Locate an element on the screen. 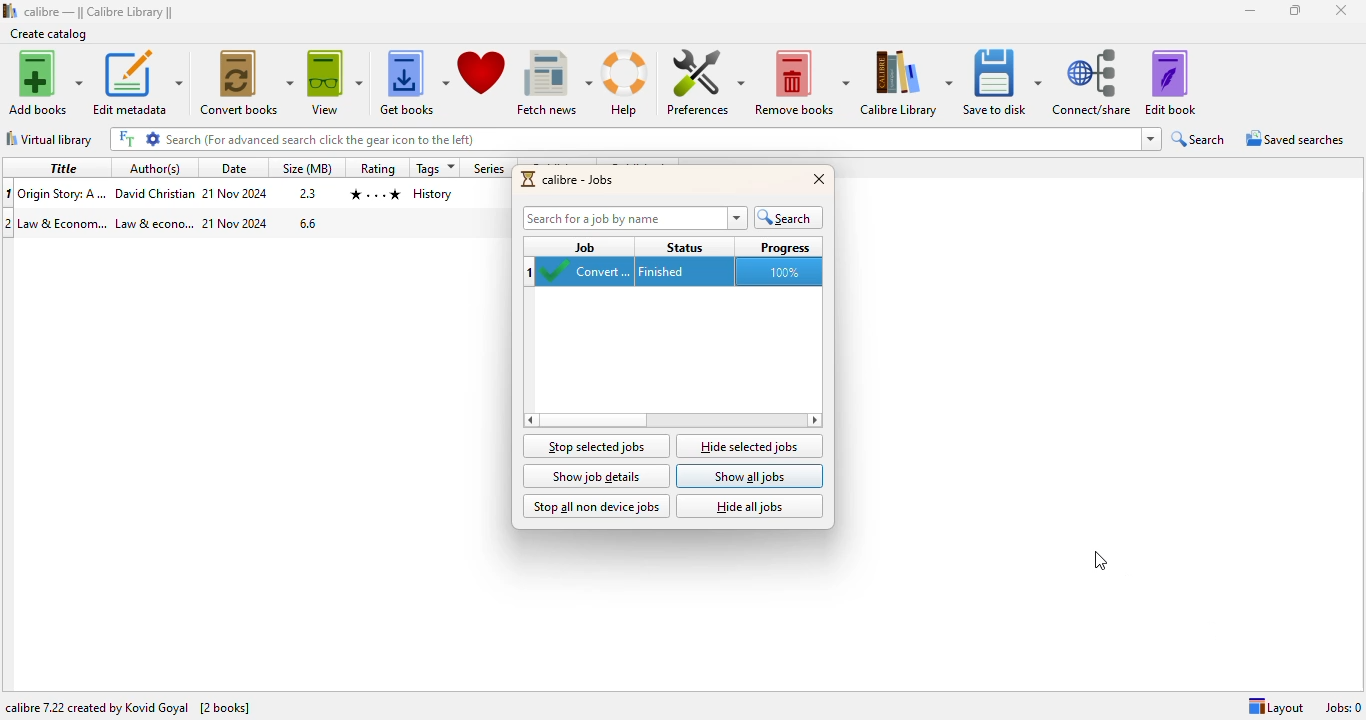  title is located at coordinates (64, 222).